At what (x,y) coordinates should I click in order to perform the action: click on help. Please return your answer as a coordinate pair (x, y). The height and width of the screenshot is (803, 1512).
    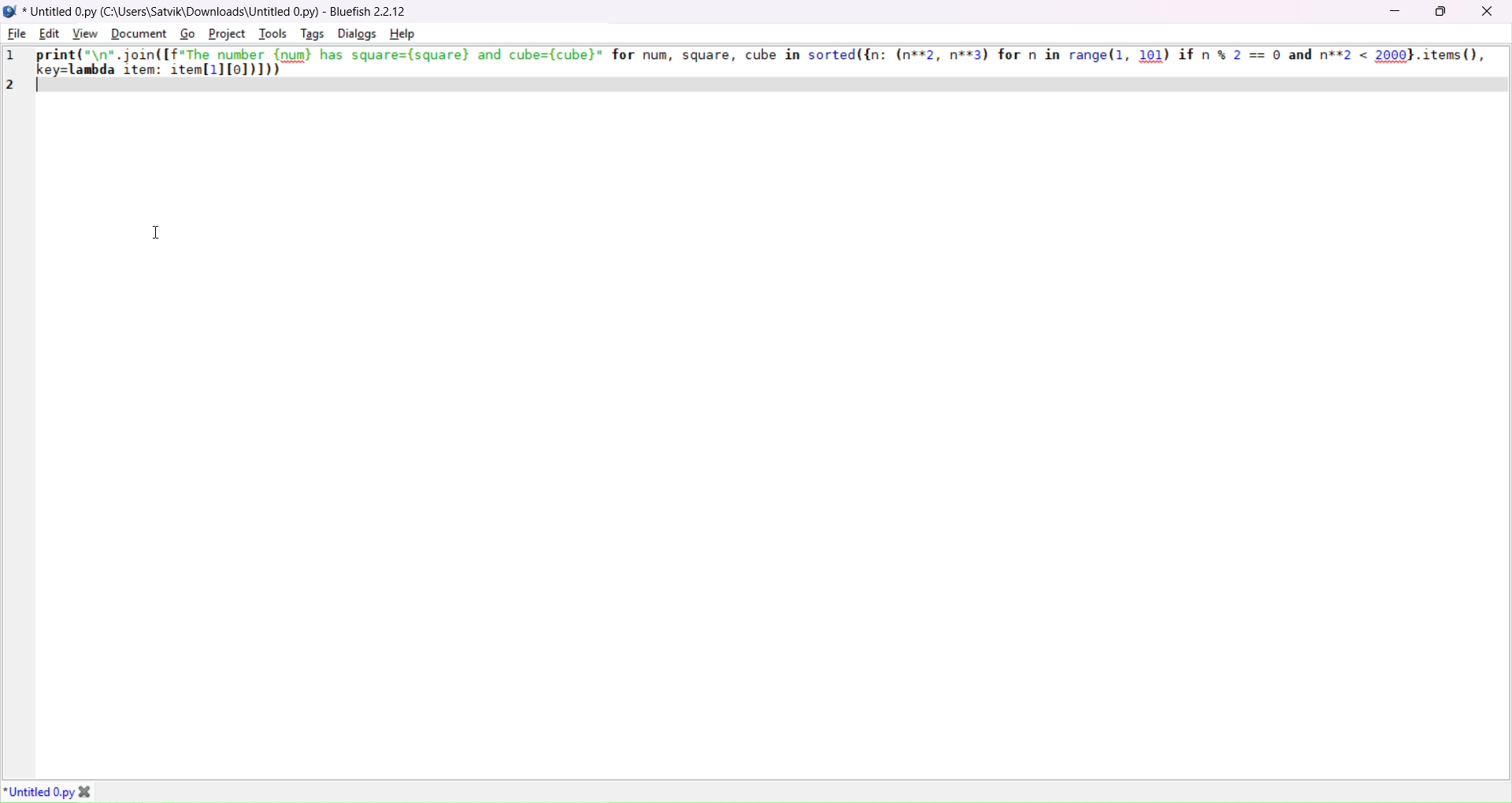
    Looking at the image, I should click on (404, 35).